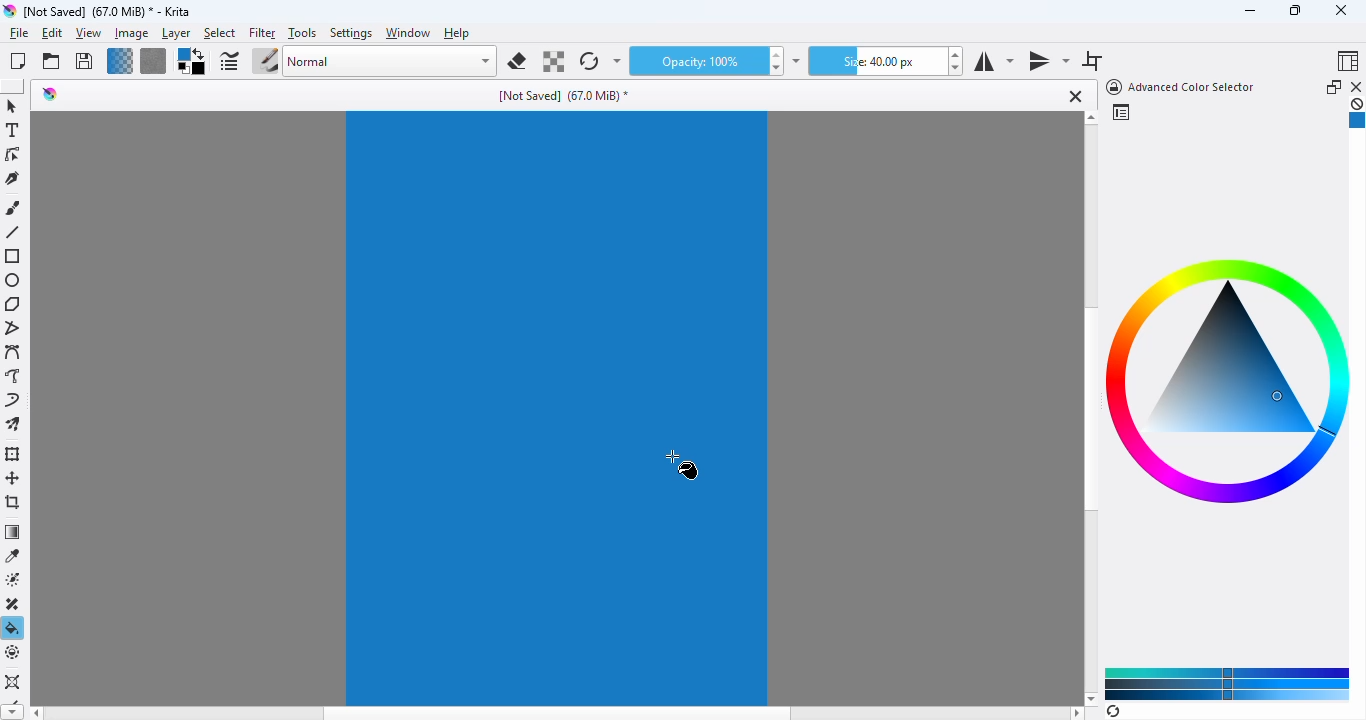  What do you see at coordinates (1048, 62) in the screenshot?
I see `vertical mirror tool` at bounding box center [1048, 62].